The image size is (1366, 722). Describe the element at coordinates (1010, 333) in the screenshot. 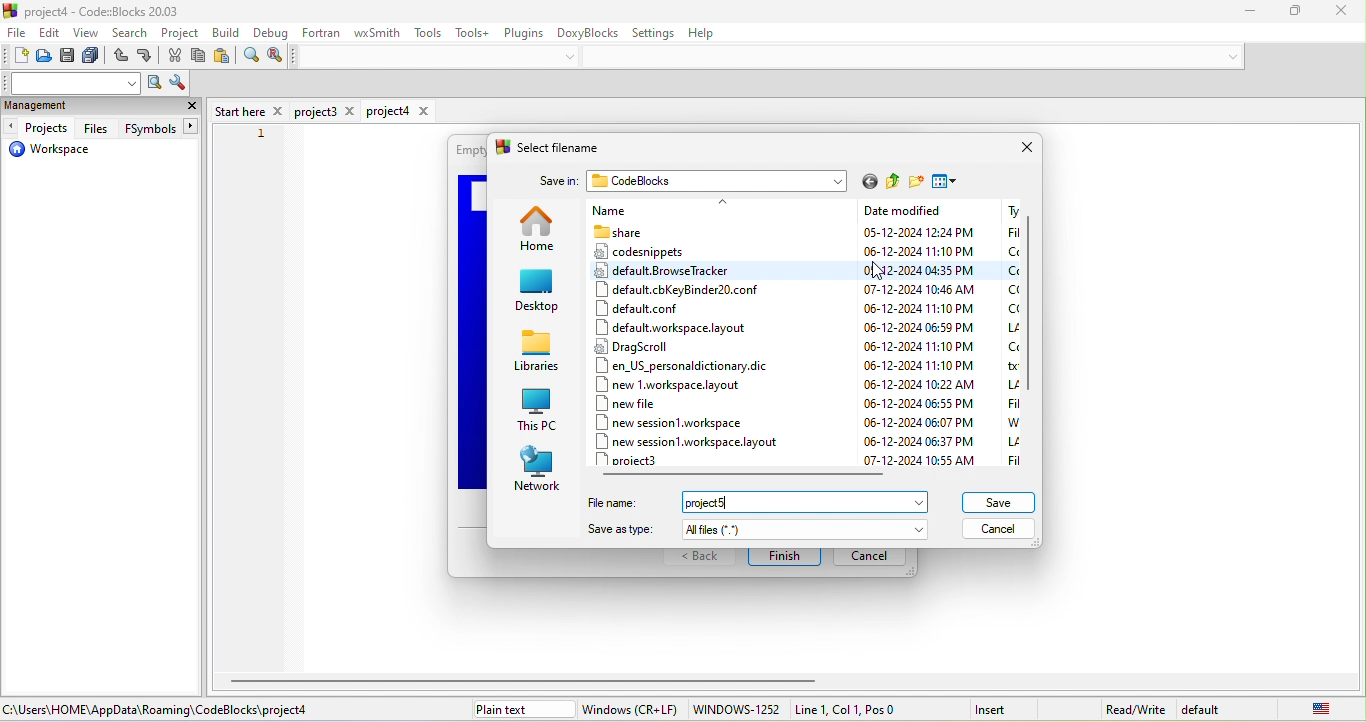

I see `type` at that location.